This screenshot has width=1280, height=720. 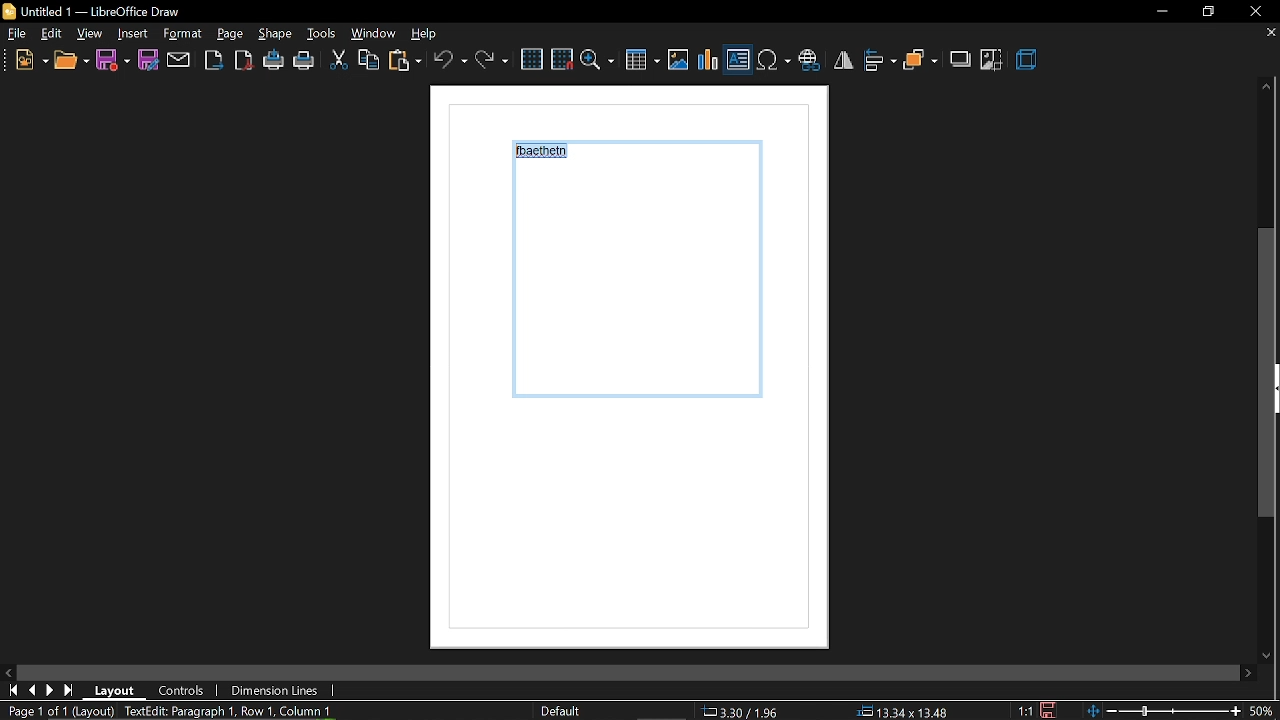 I want to click on print, so click(x=304, y=63).